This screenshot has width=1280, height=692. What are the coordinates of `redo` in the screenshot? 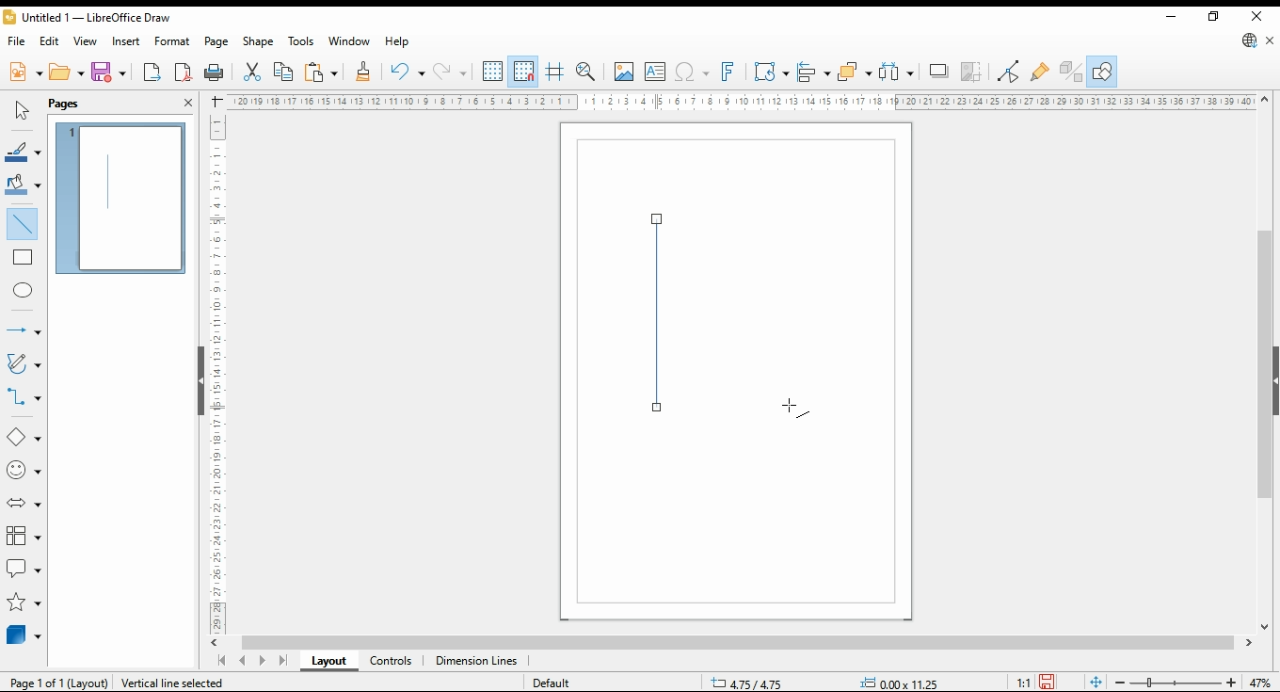 It's located at (450, 73).